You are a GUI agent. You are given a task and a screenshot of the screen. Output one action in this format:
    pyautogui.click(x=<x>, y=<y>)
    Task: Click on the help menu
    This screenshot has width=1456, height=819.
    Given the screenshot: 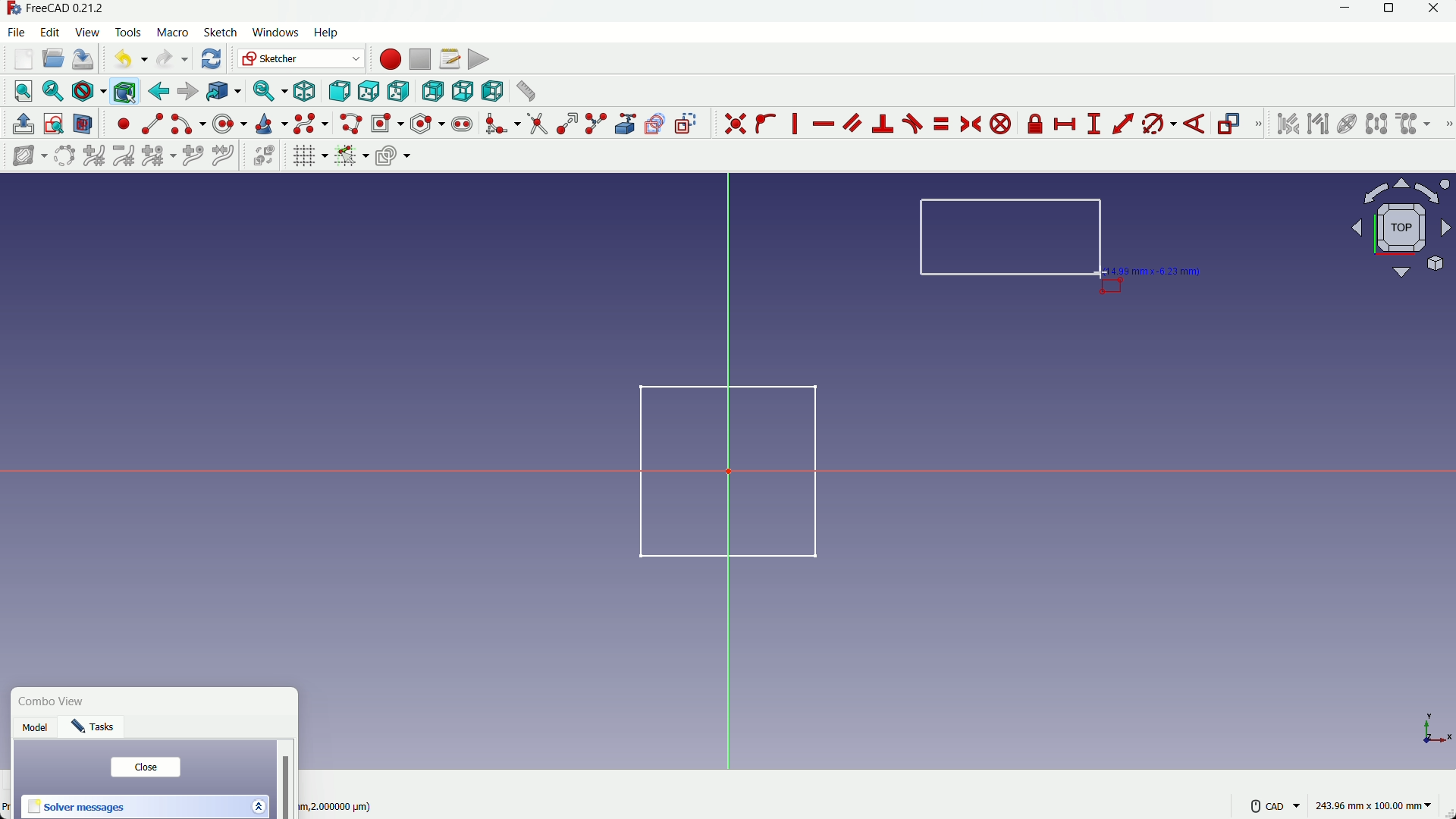 What is the action you would take?
    pyautogui.click(x=331, y=33)
    